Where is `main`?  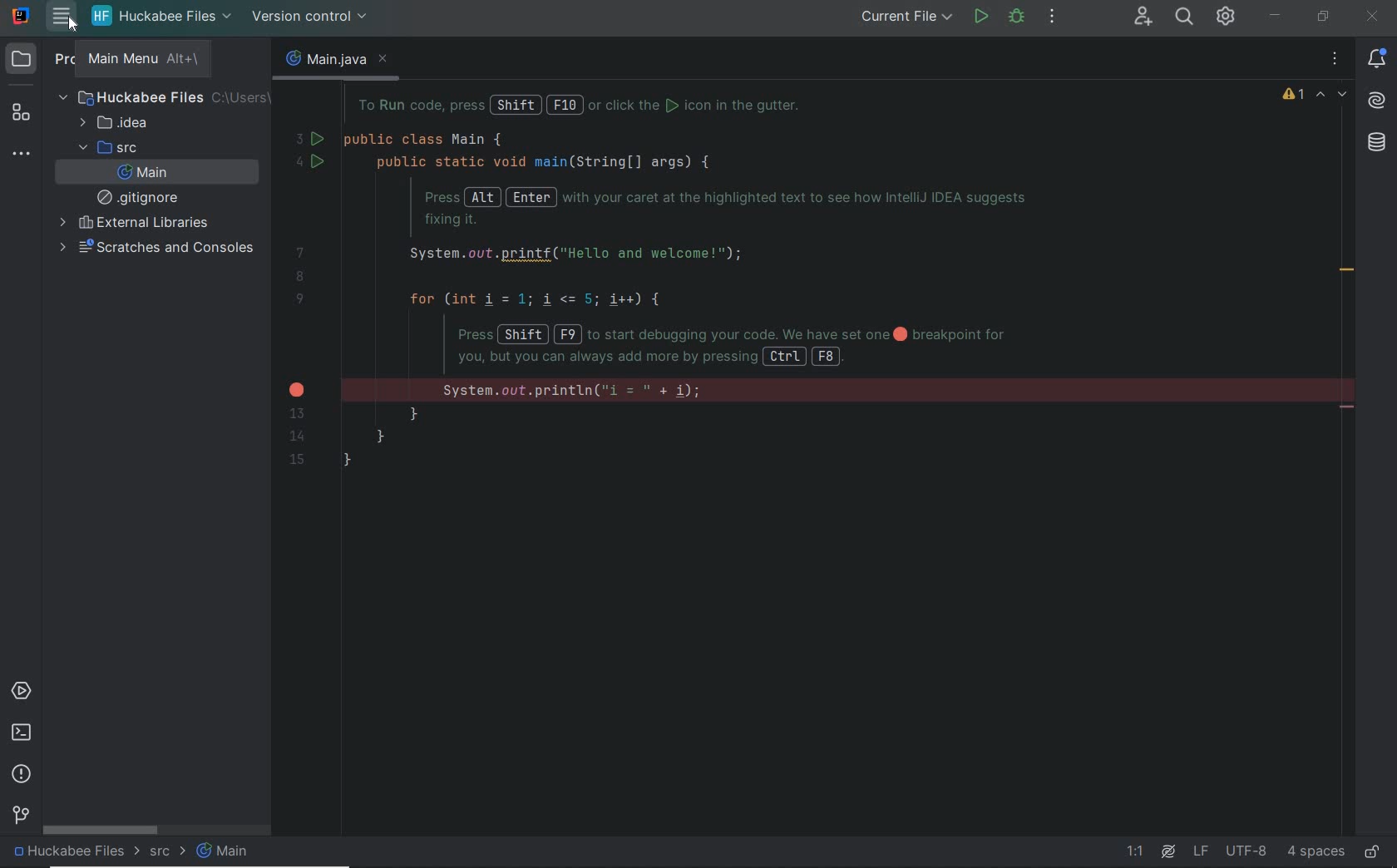
main is located at coordinates (143, 173).